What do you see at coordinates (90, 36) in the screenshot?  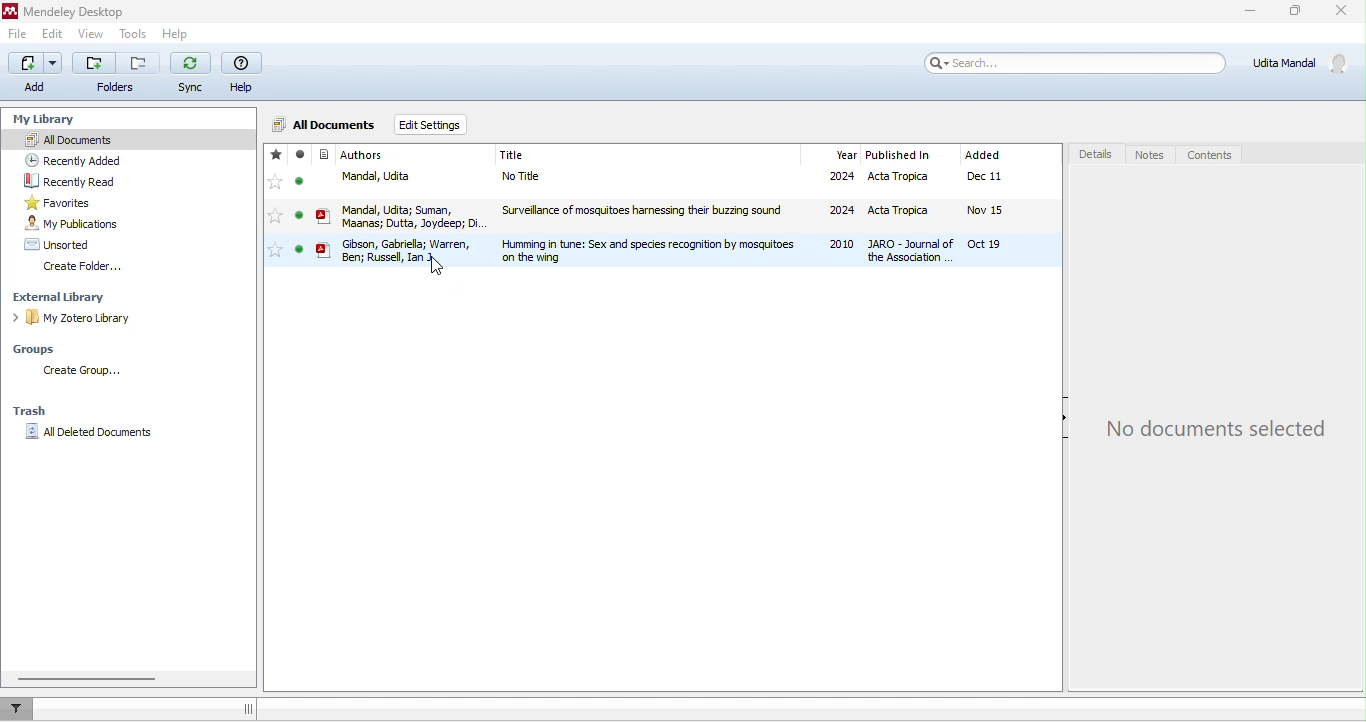 I see `view` at bounding box center [90, 36].